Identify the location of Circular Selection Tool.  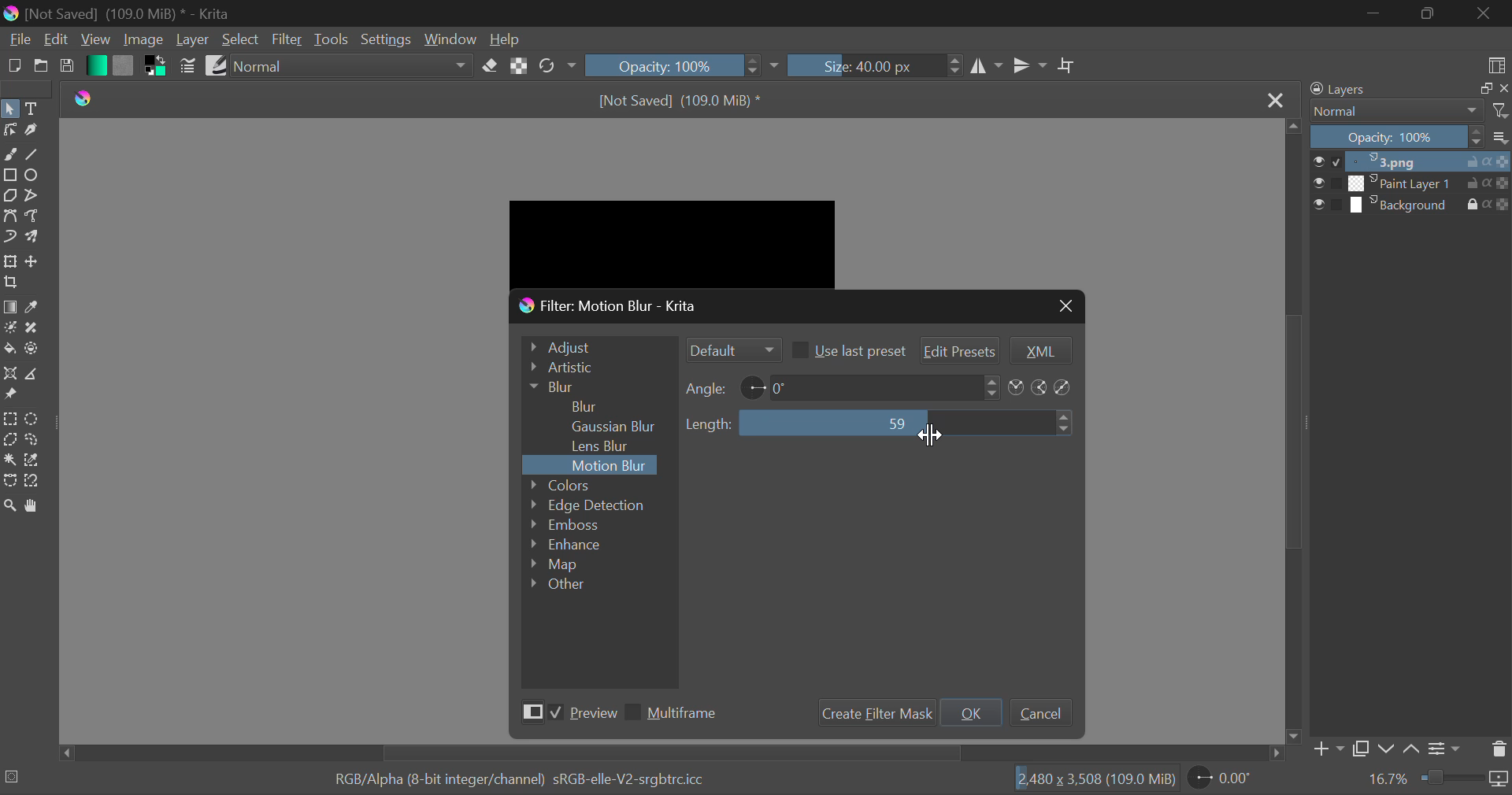
(35, 420).